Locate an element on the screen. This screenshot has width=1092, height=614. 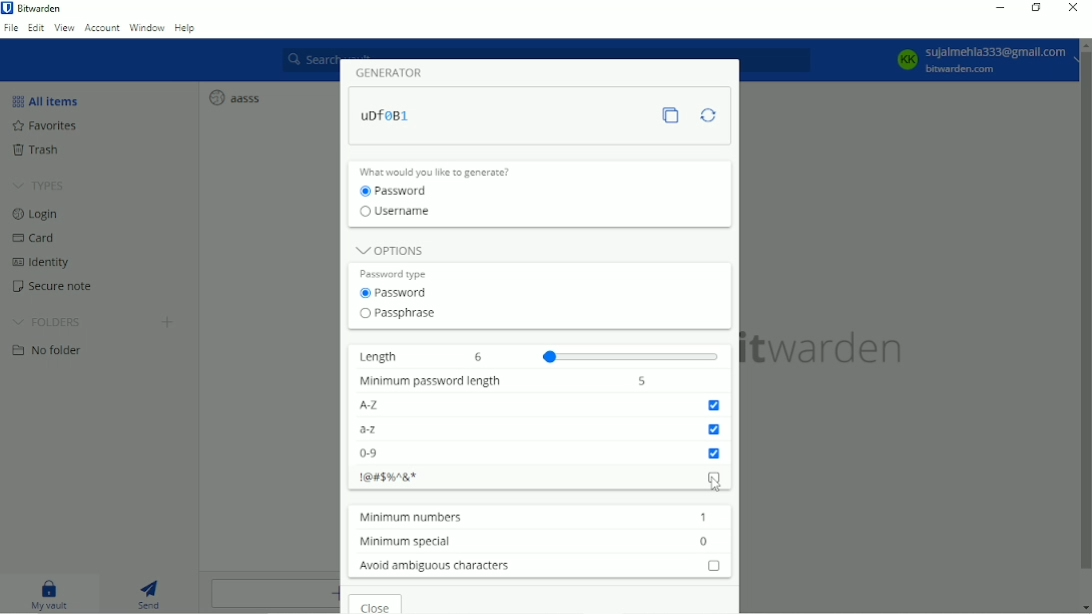
password radio button is located at coordinates (390, 296).